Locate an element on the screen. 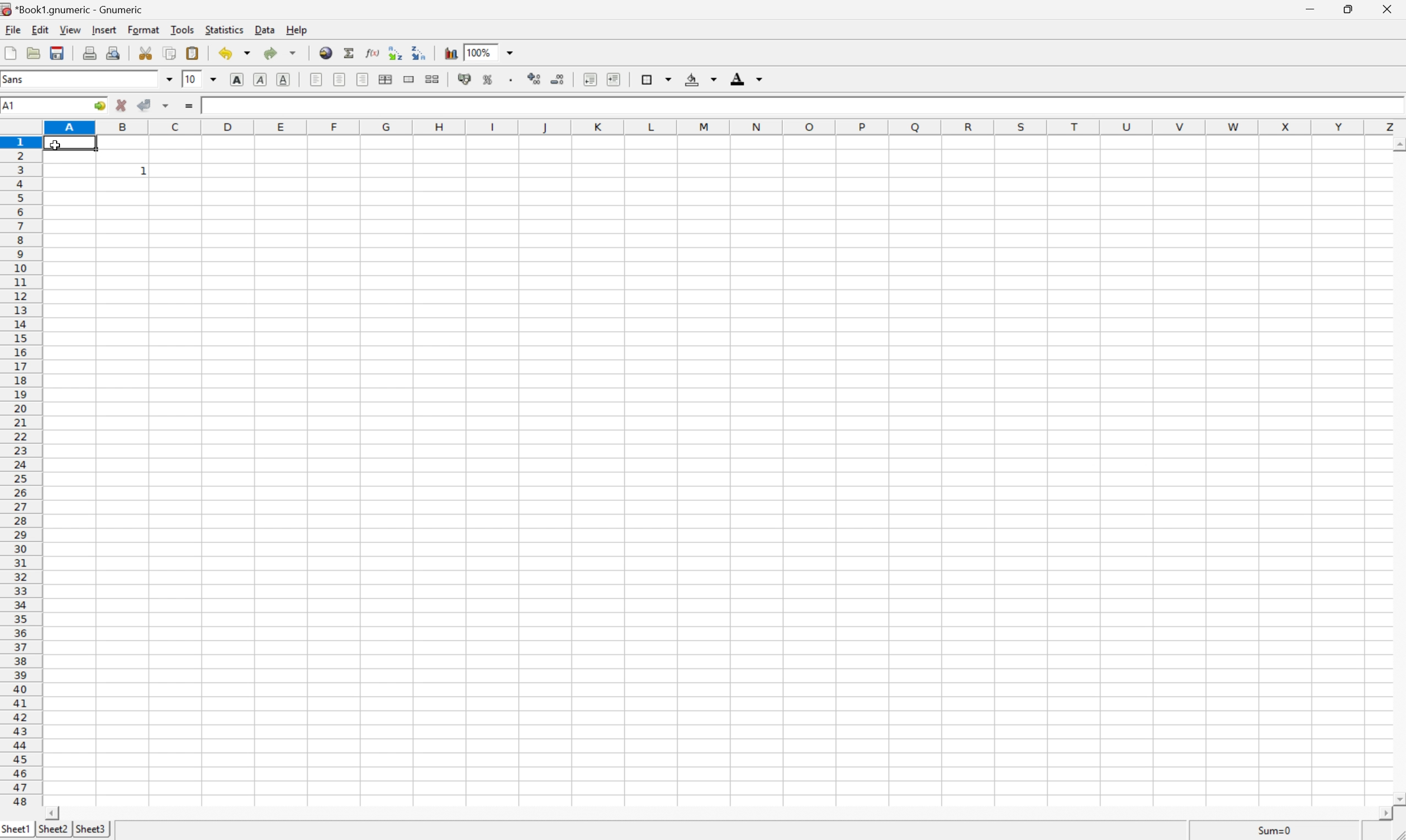  restore down is located at coordinates (1348, 10).